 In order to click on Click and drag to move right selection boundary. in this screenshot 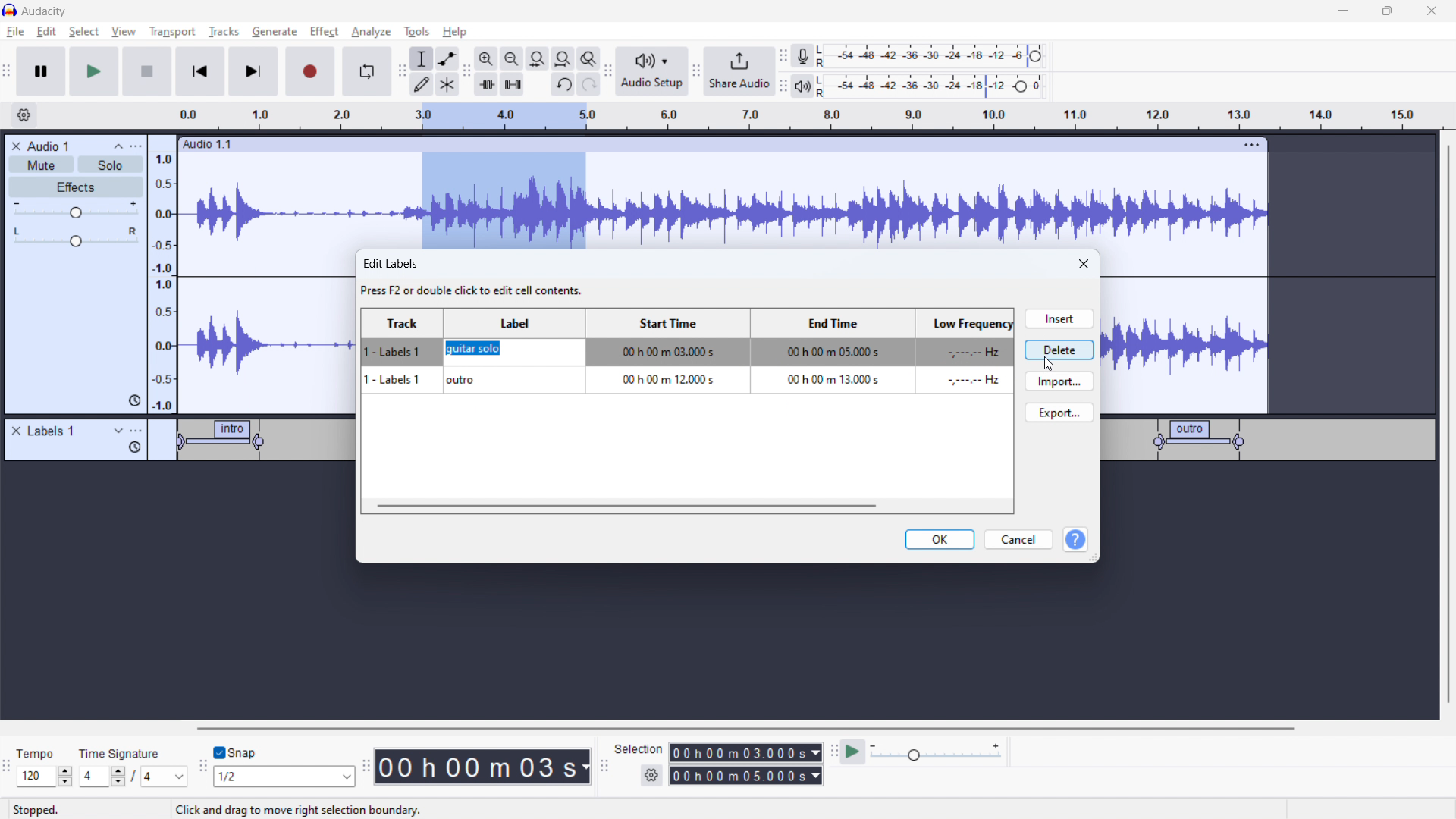, I will do `click(298, 809)`.